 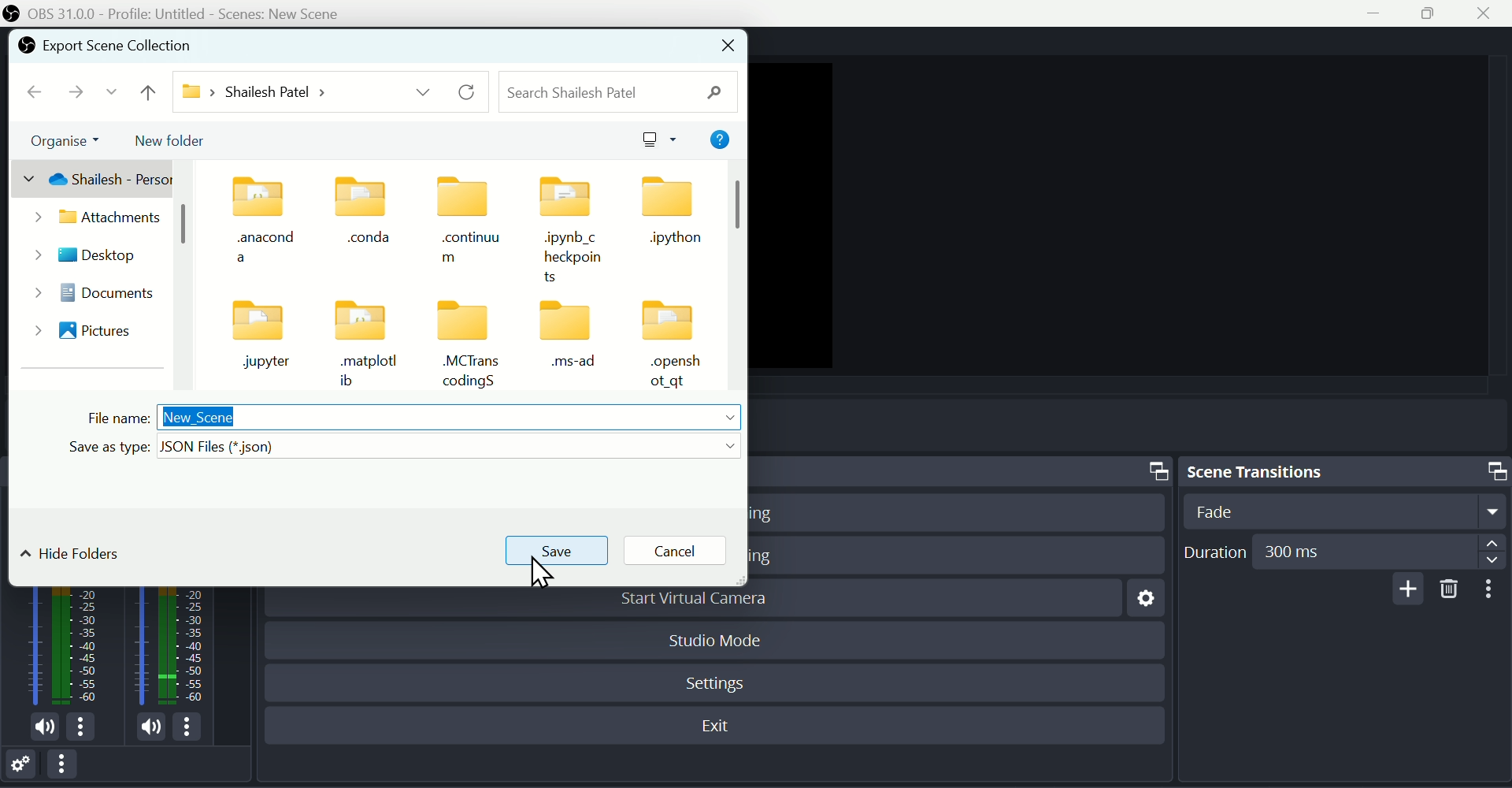 What do you see at coordinates (87, 730) in the screenshot?
I see `more options` at bounding box center [87, 730].